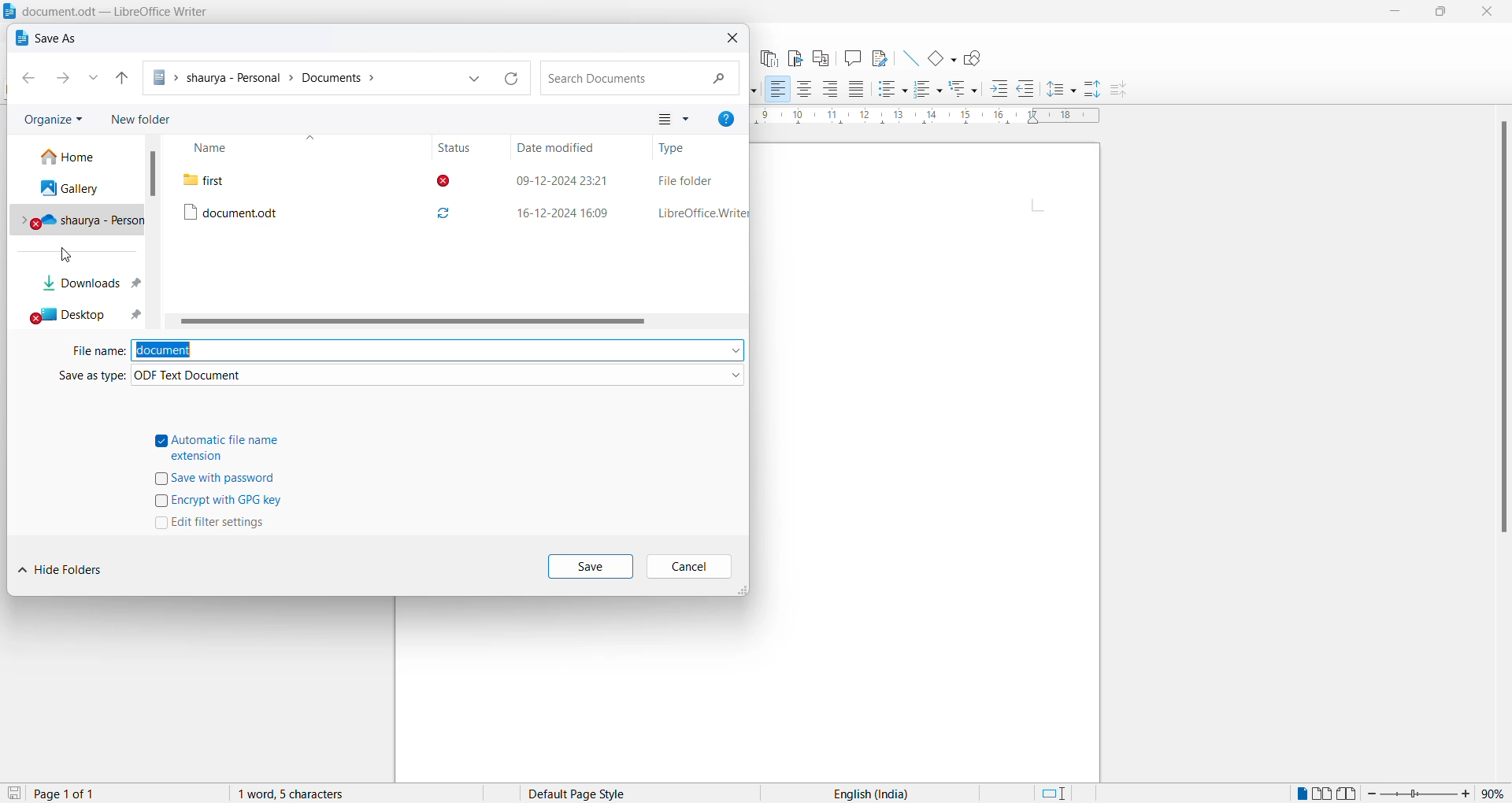 The height and width of the screenshot is (803, 1512). I want to click on Type, so click(676, 149).